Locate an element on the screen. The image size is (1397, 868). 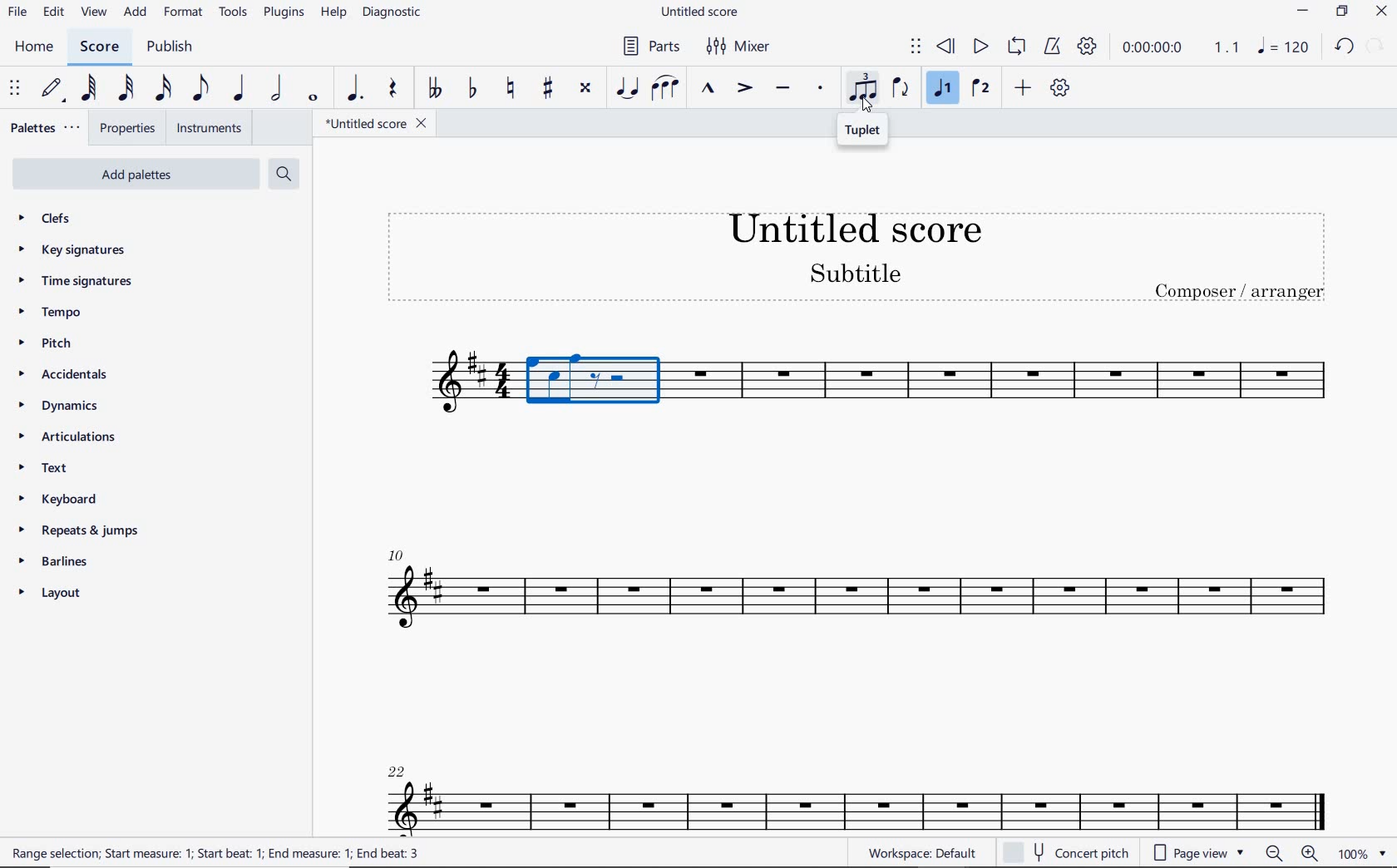
TOGGLE DOUBLE-SHARP is located at coordinates (585, 87).